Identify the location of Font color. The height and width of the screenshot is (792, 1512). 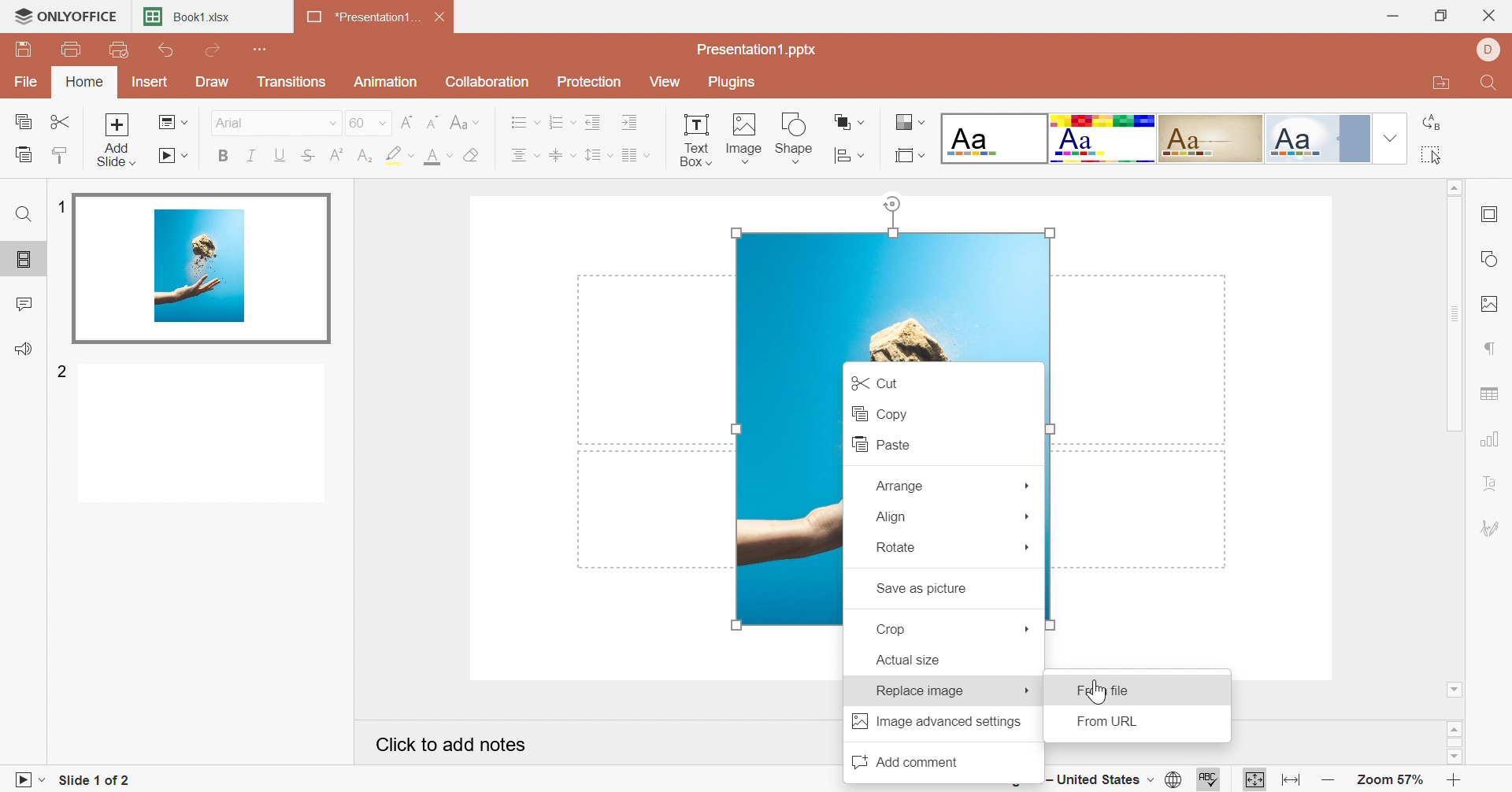
(442, 155).